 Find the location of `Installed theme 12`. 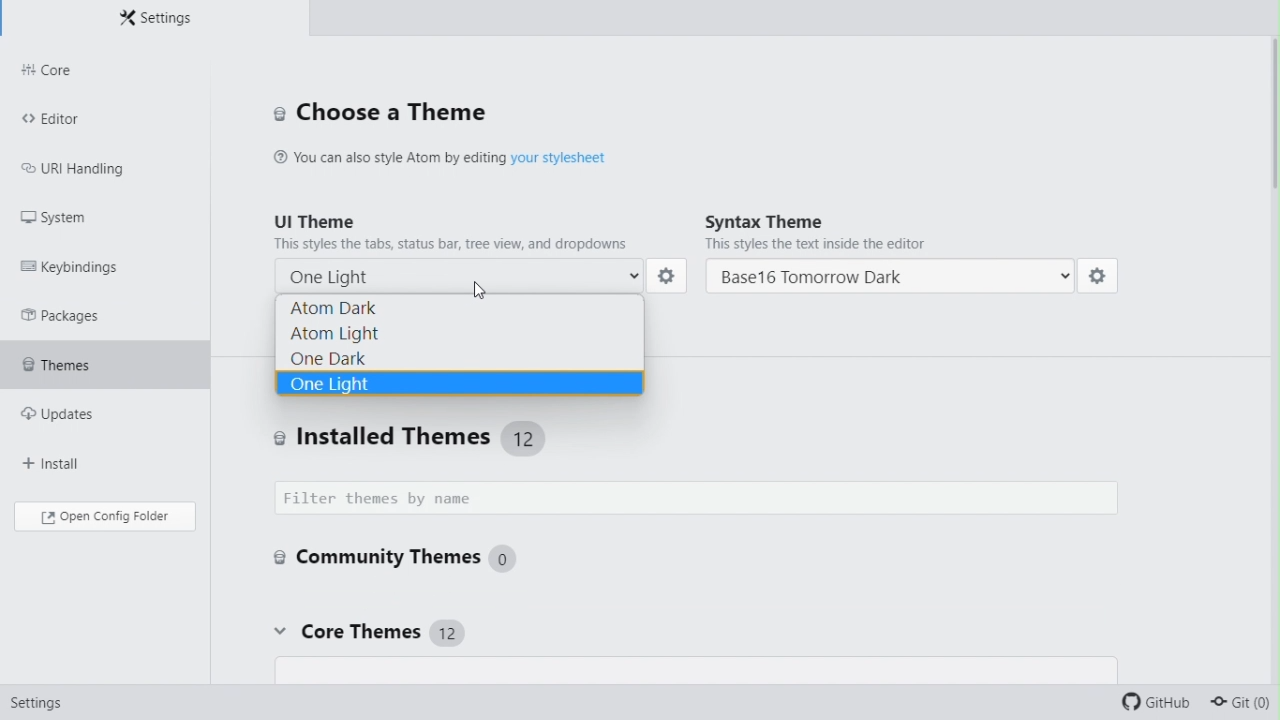

Installed theme 12 is located at coordinates (422, 437).